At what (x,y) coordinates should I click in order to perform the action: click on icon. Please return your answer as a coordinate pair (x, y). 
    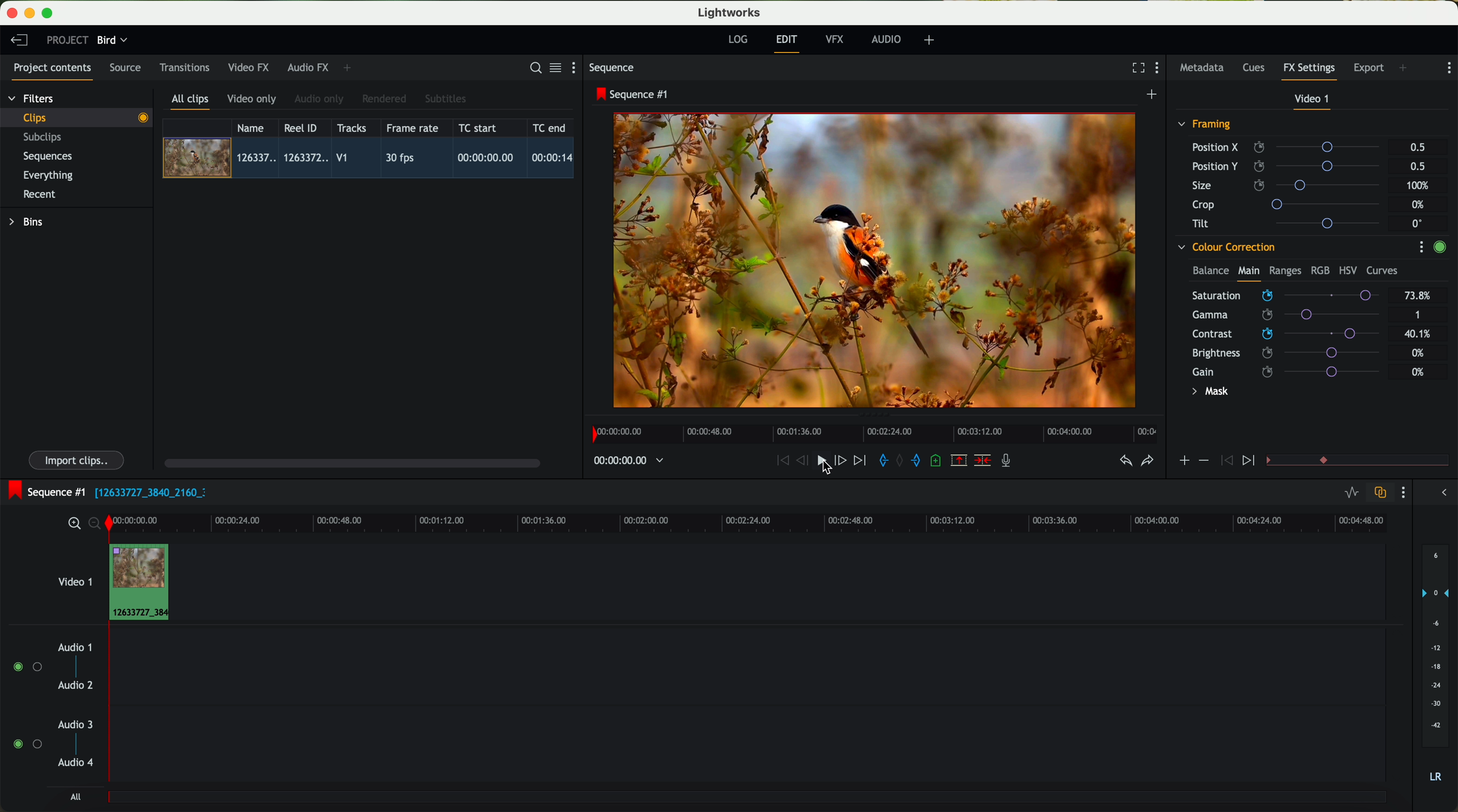
    Looking at the image, I should click on (1250, 461).